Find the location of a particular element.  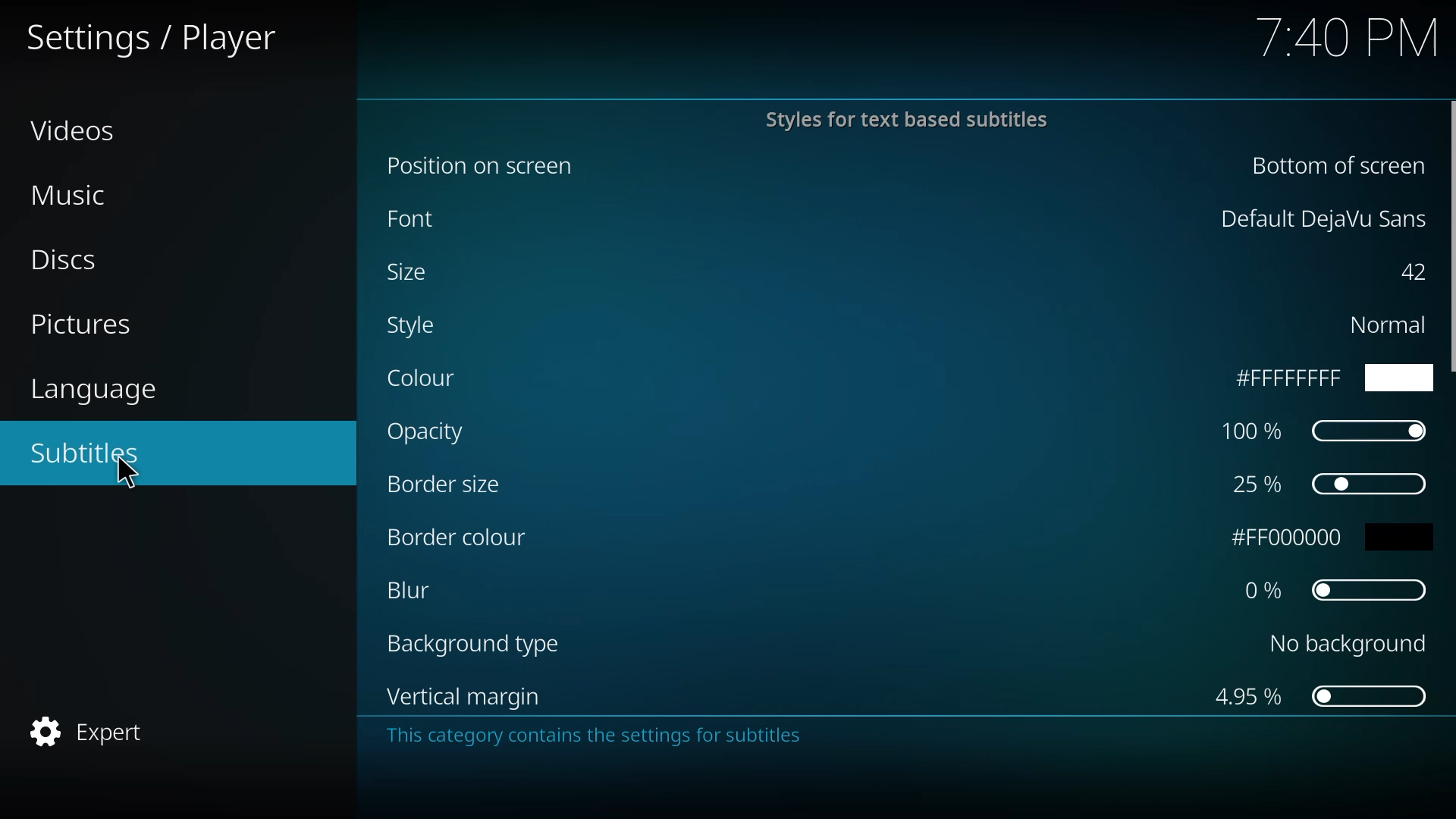

videos is located at coordinates (78, 133).